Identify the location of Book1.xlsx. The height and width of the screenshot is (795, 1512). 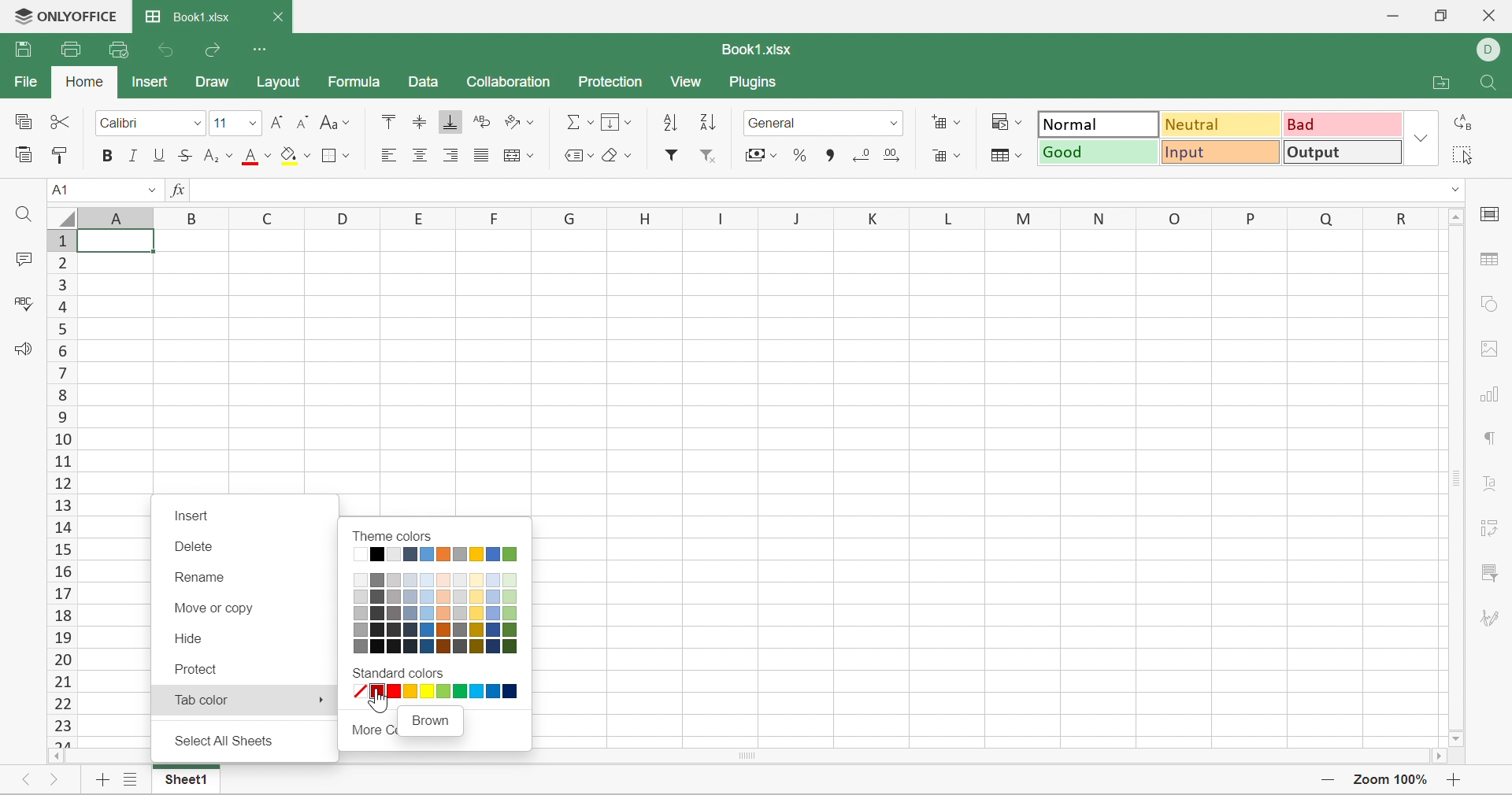
(187, 17).